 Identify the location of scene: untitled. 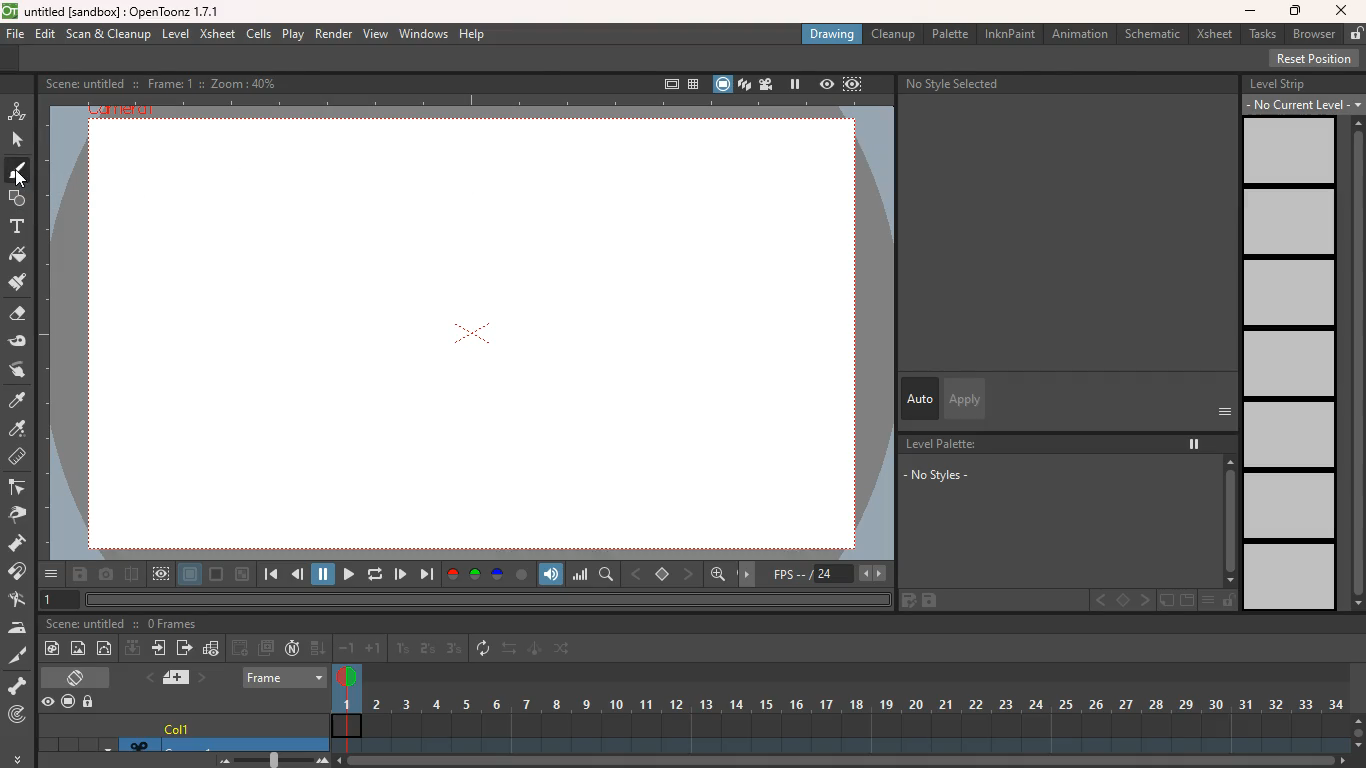
(84, 625).